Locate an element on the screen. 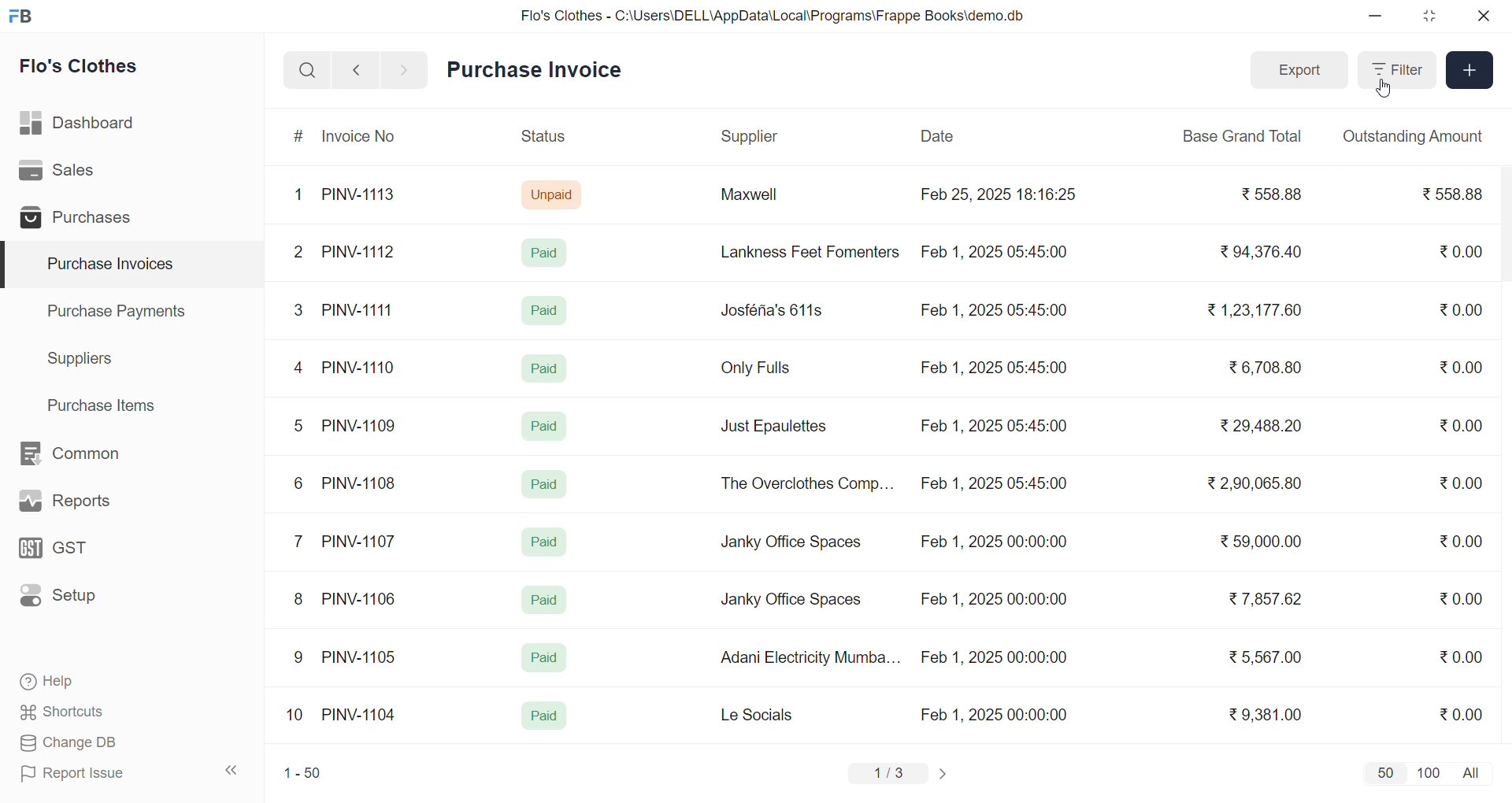 The image size is (1512, 803). Sales is located at coordinates (81, 173).